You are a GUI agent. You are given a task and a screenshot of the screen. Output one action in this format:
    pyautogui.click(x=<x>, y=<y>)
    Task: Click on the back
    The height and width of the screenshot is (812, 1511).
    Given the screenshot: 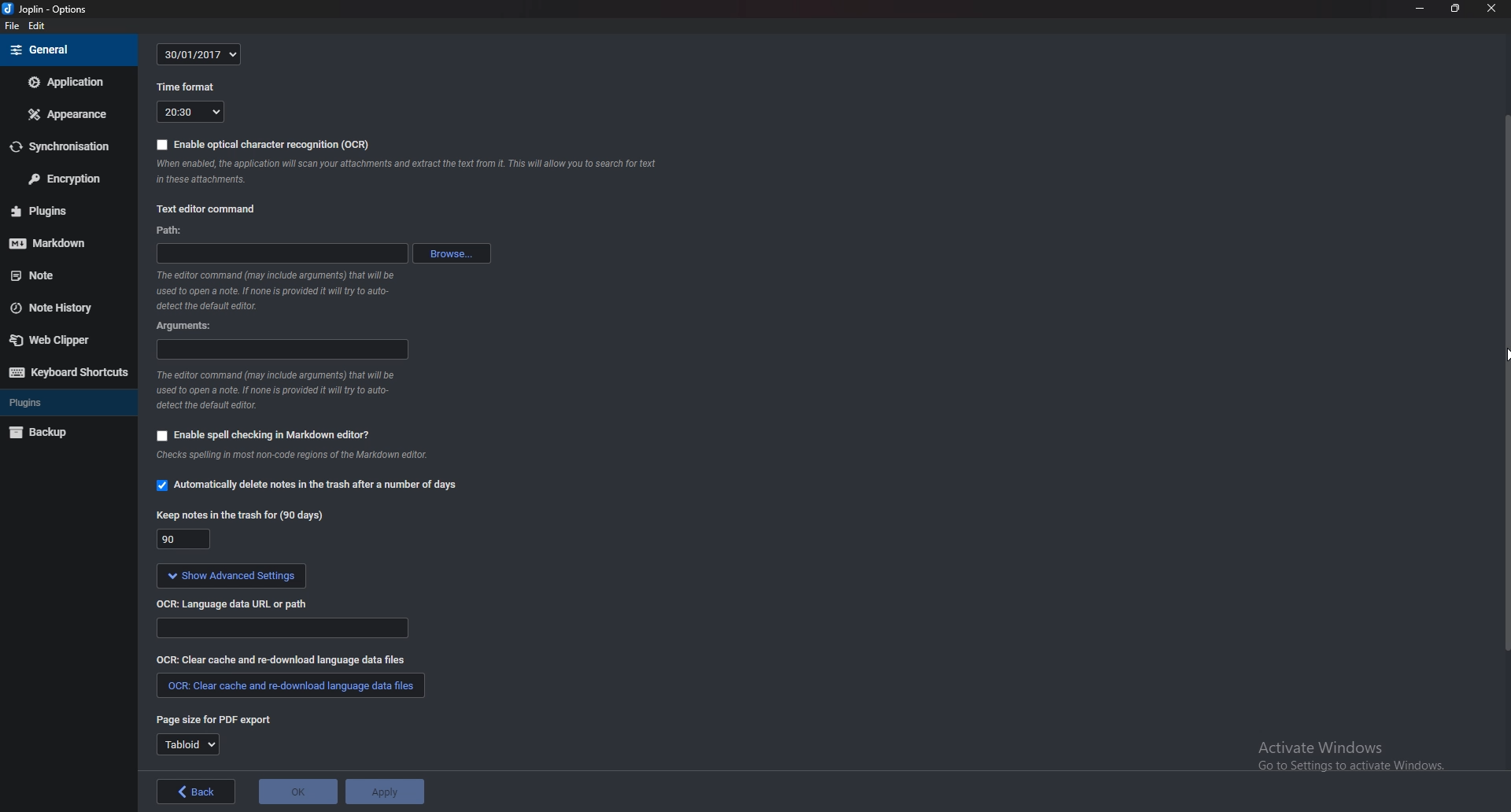 What is the action you would take?
    pyautogui.click(x=196, y=792)
    